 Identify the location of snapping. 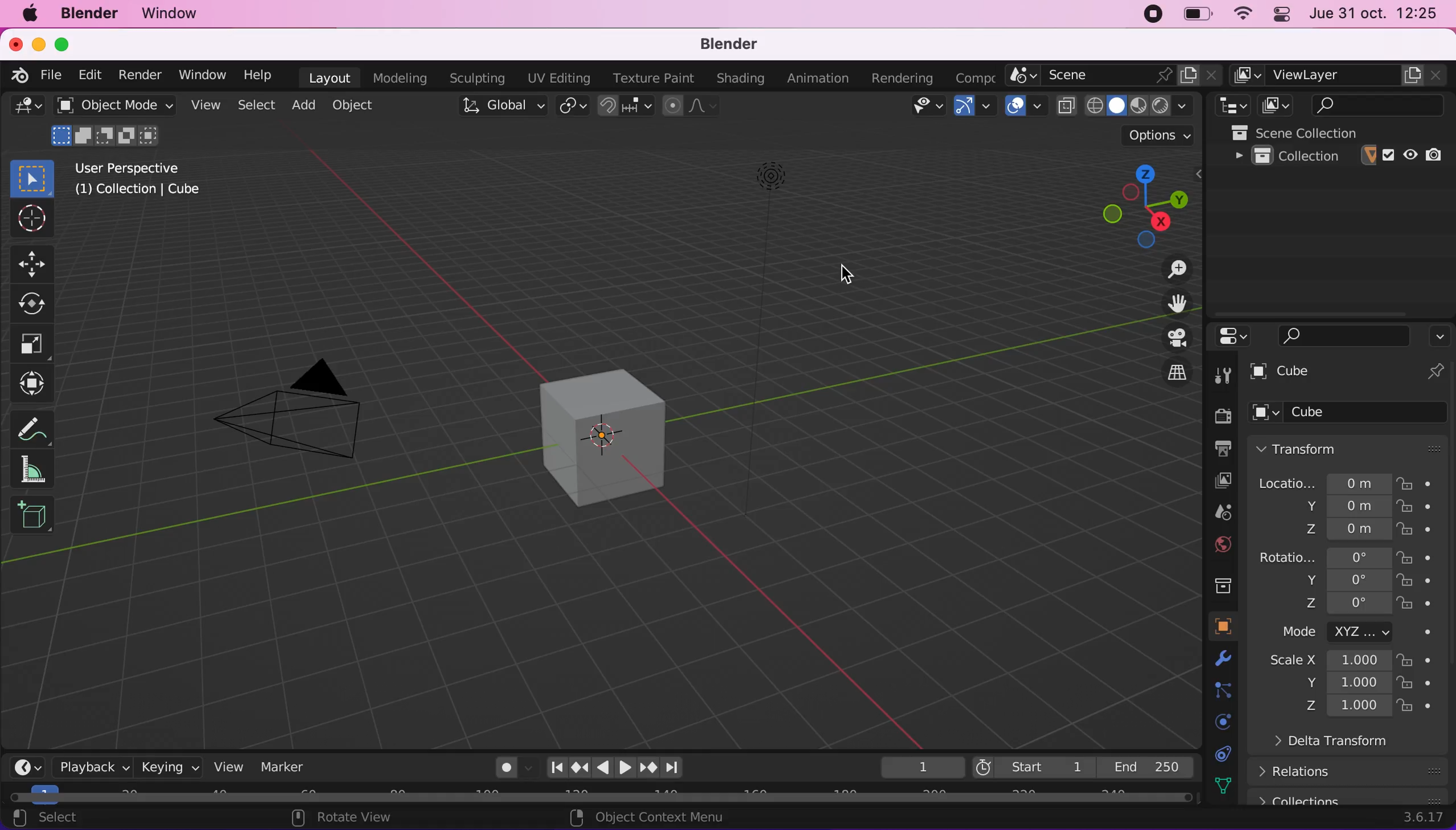
(628, 107).